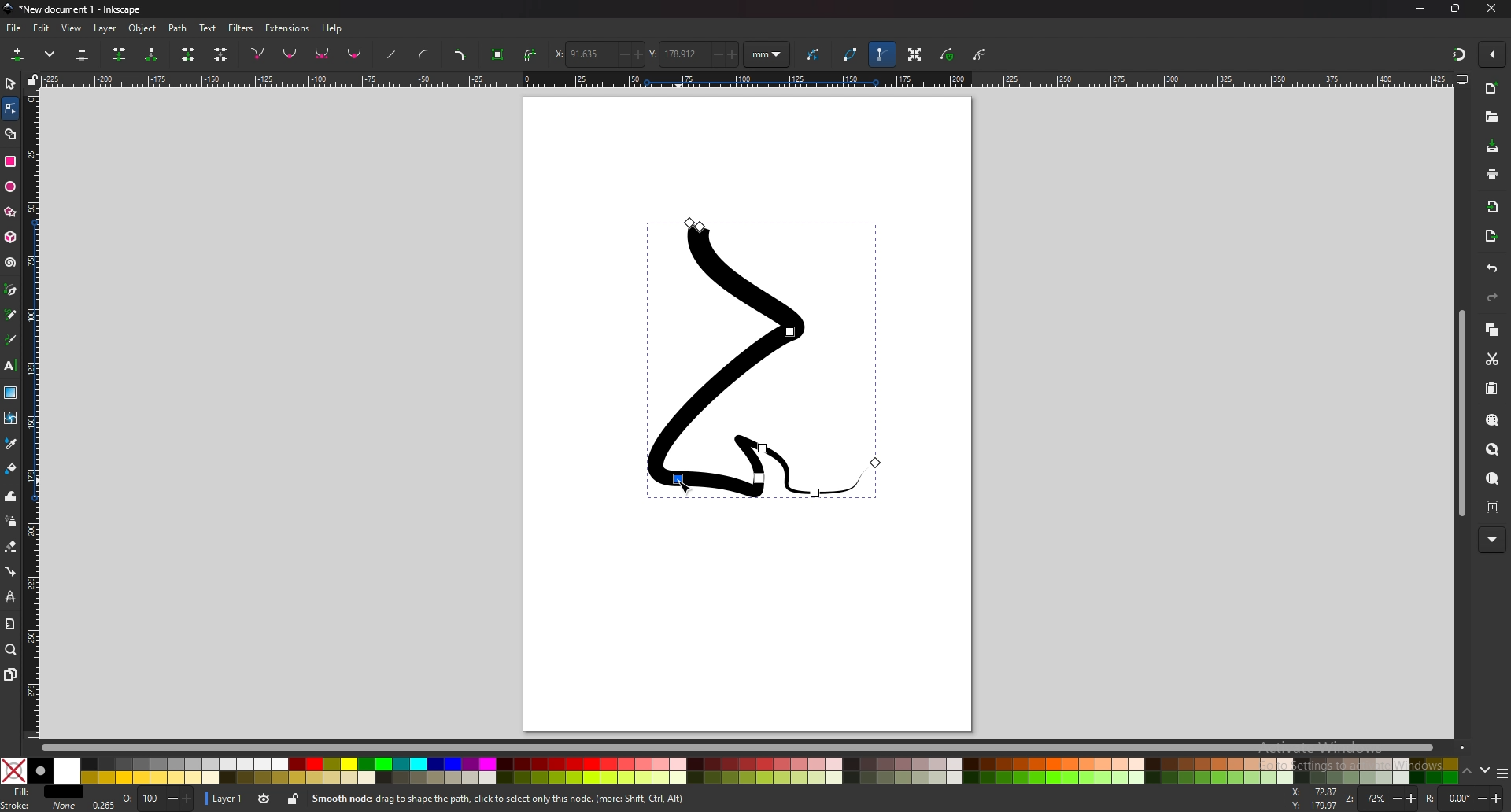 The height and width of the screenshot is (812, 1511). What do you see at coordinates (10, 572) in the screenshot?
I see `connector` at bounding box center [10, 572].